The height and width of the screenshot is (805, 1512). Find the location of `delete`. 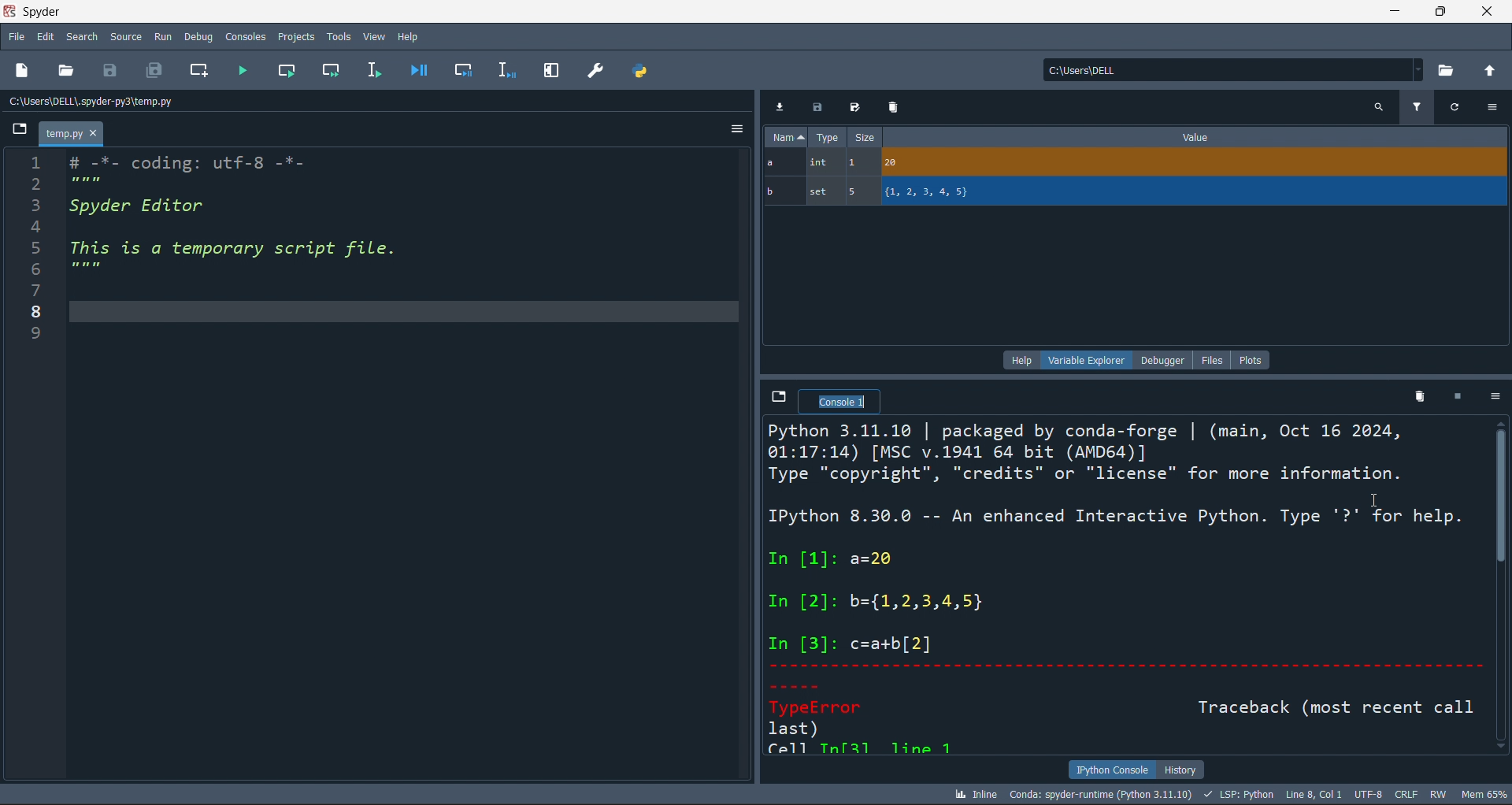

delete is located at coordinates (1417, 395).